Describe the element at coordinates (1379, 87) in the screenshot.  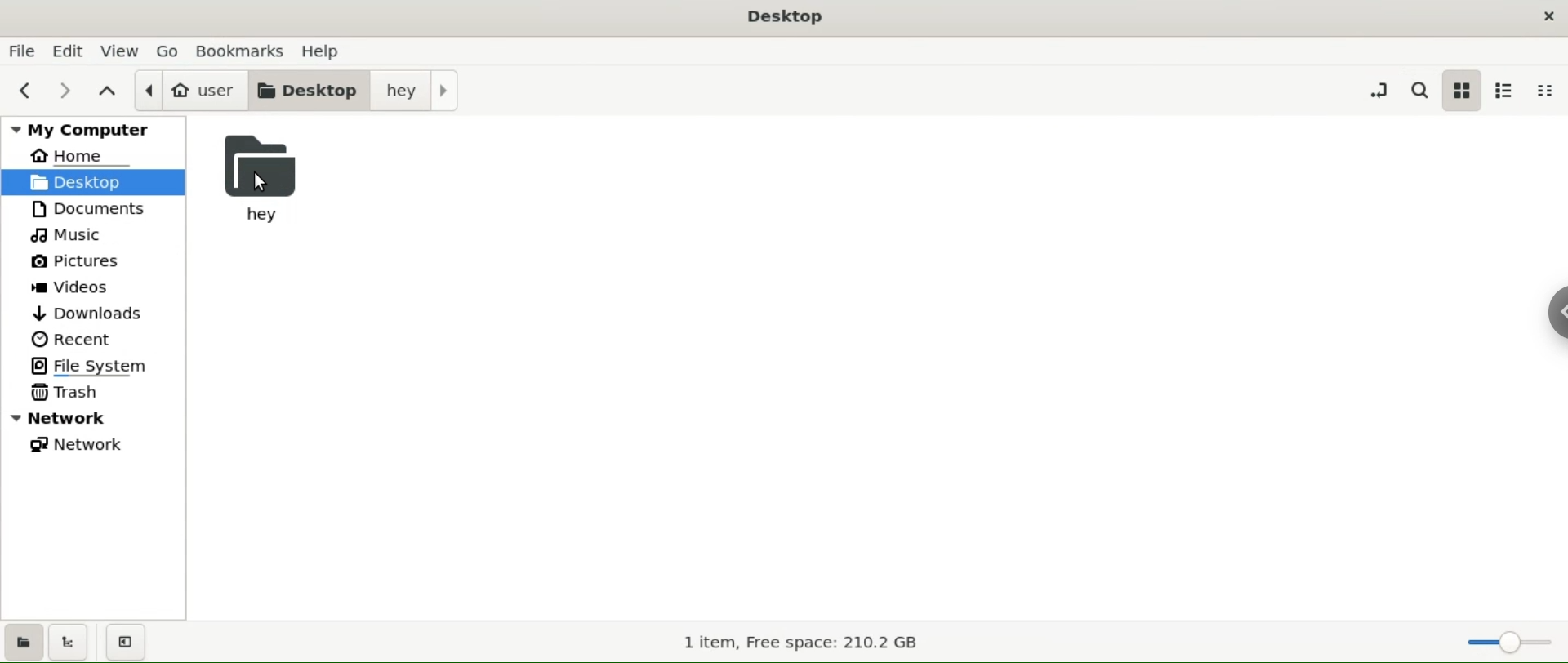
I see `toggle location entry` at that location.